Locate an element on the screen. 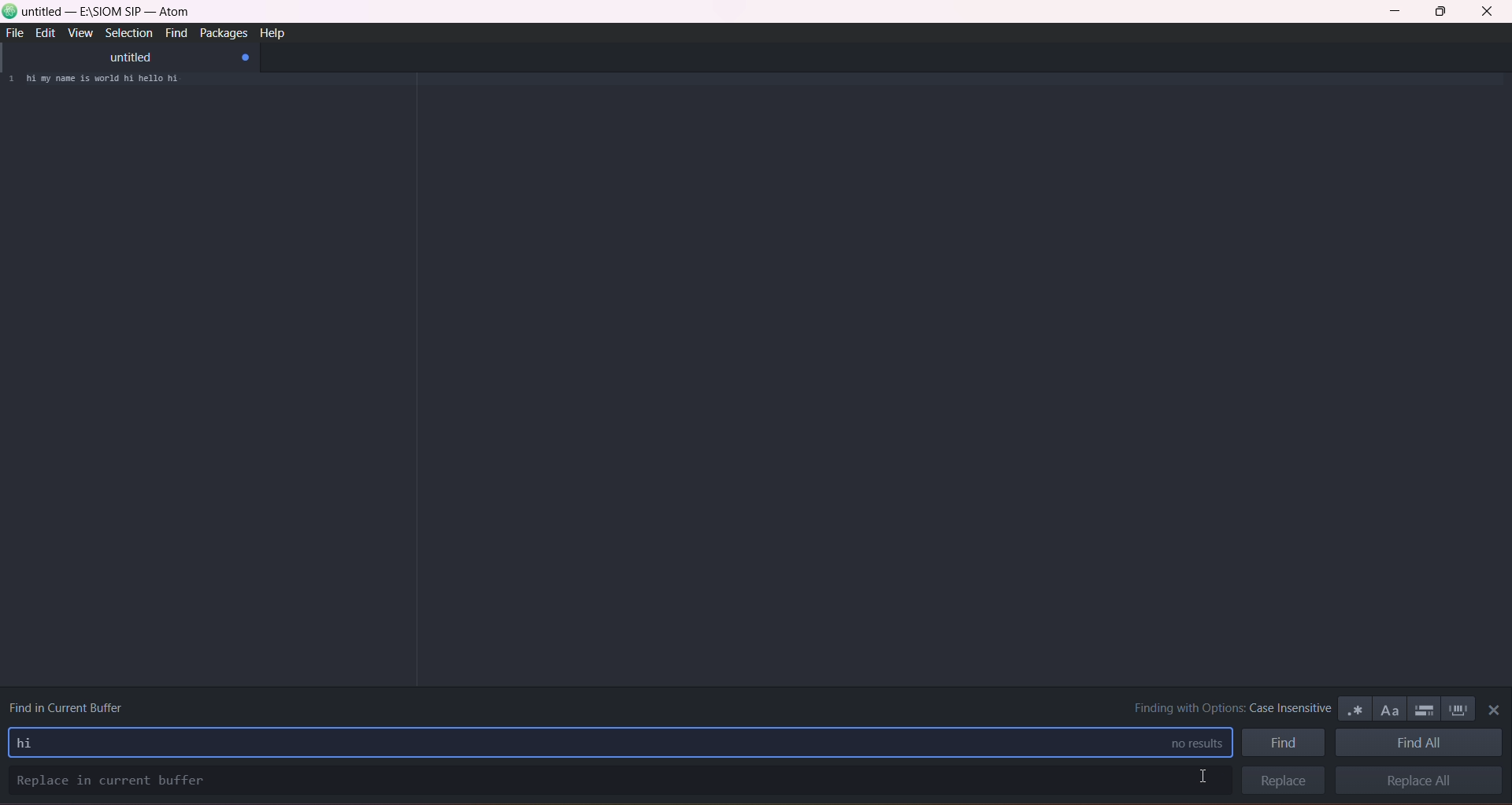 The width and height of the screenshot is (1512, 805). close panel is located at coordinates (1491, 712).